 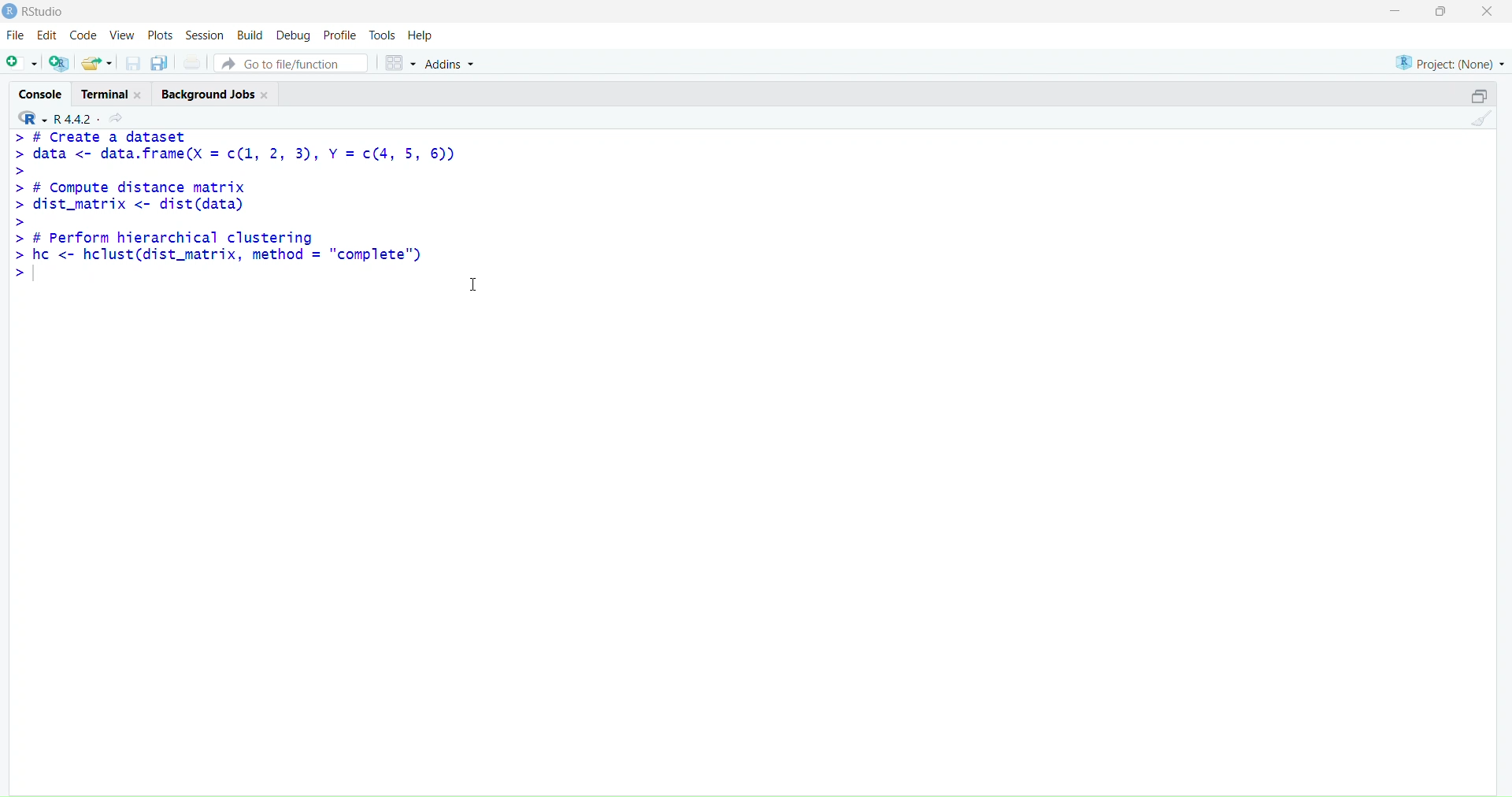 What do you see at coordinates (109, 94) in the screenshot?
I see `Terminal` at bounding box center [109, 94].